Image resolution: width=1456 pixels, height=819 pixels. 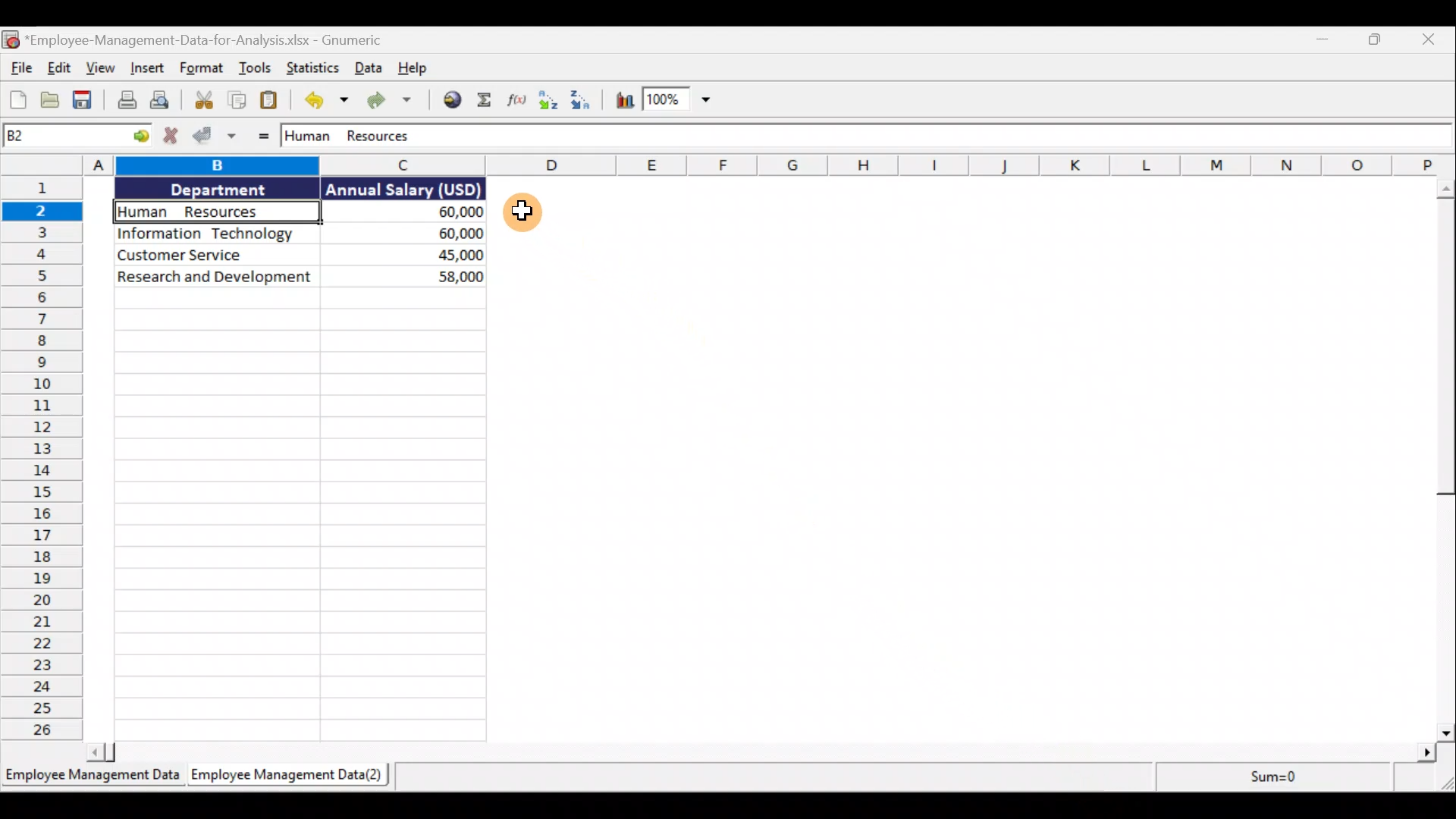 I want to click on Minimise, so click(x=1320, y=42).